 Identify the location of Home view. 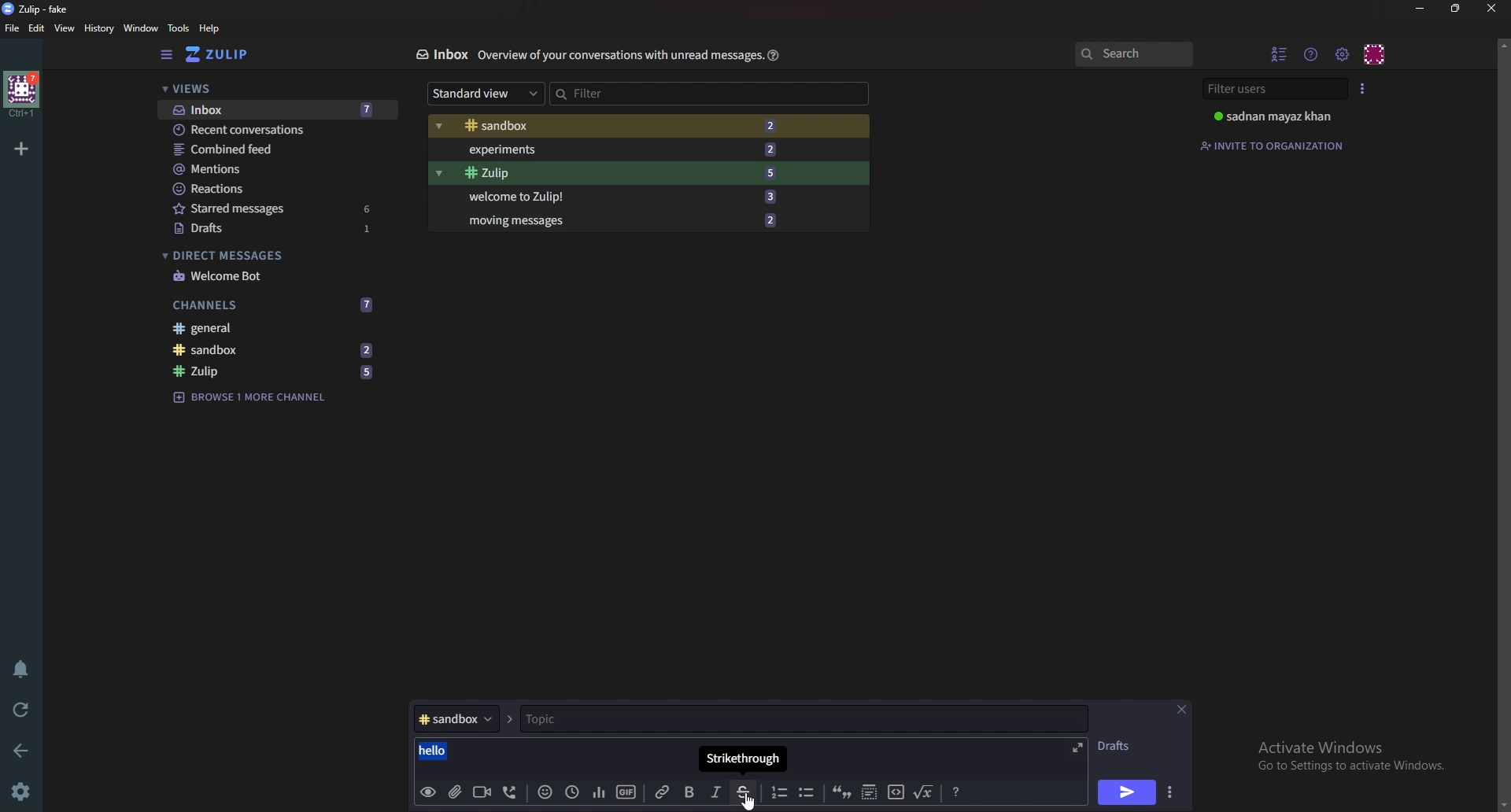
(222, 54).